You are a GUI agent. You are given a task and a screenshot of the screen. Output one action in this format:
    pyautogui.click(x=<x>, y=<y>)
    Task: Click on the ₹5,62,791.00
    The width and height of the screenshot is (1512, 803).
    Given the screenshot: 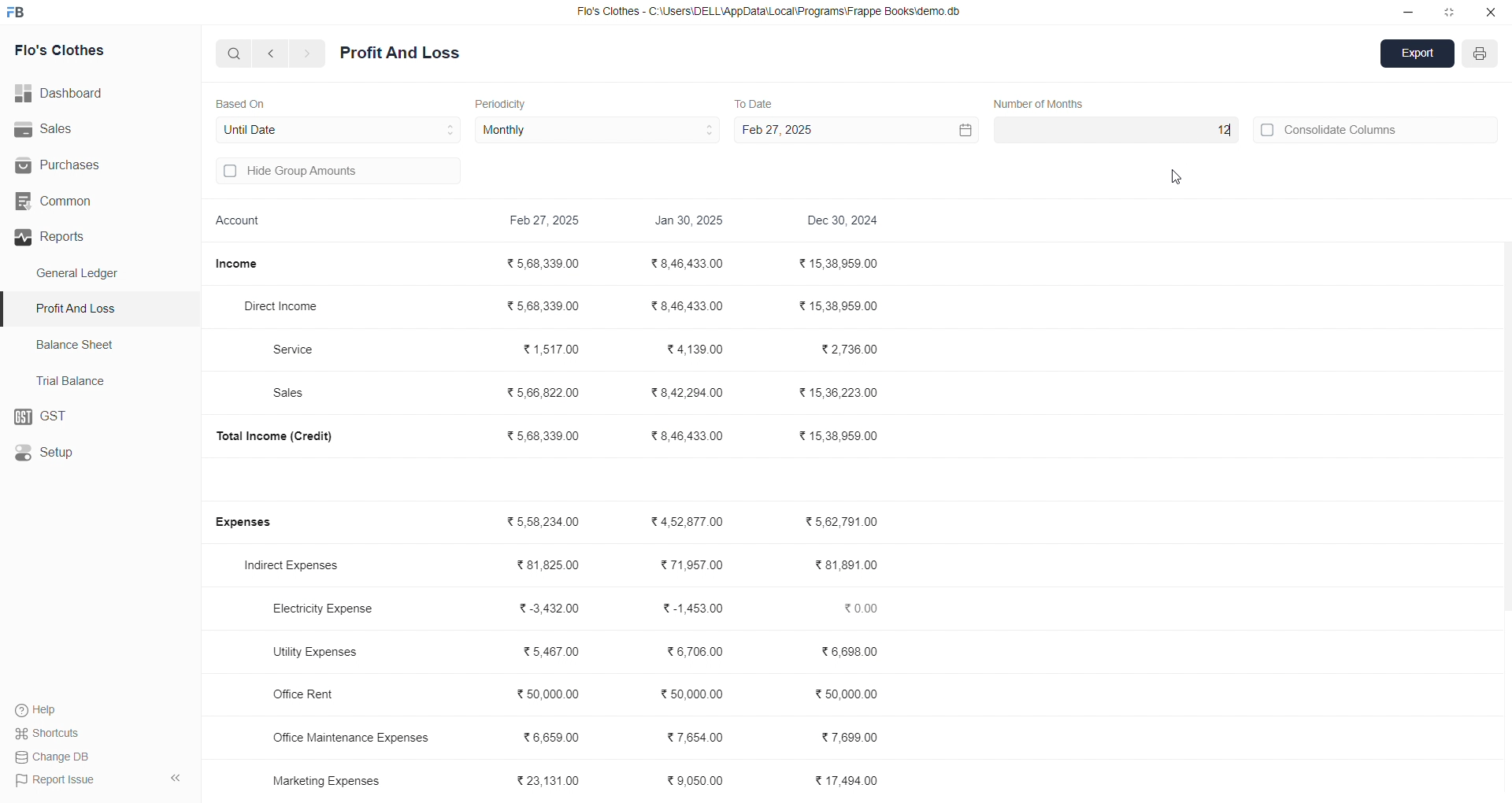 What is the action you would take?
    pyautogui.click(x=841, y=520)
    